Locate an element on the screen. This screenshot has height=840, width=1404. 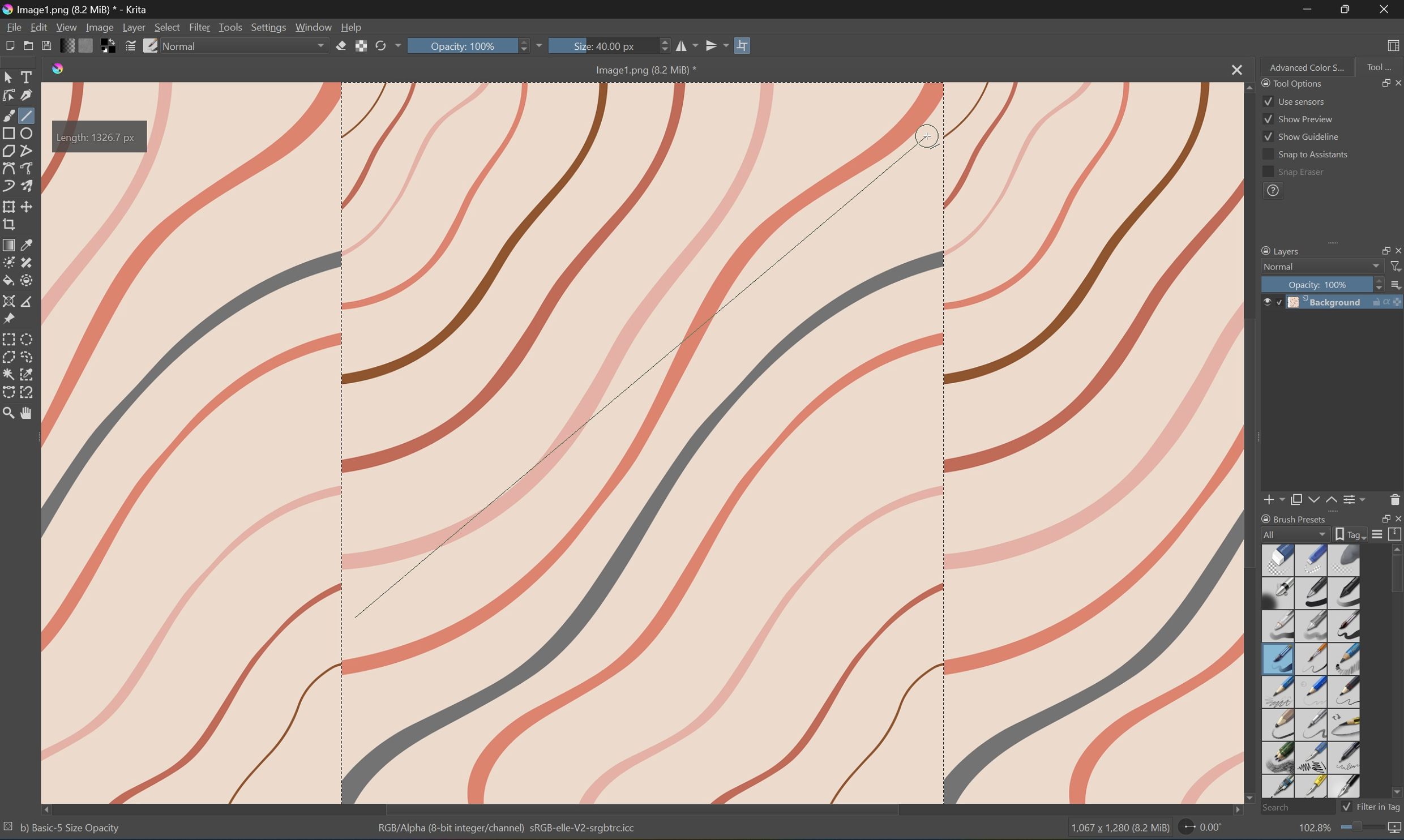
Scroll Right is located at coordinates (1396, 233).